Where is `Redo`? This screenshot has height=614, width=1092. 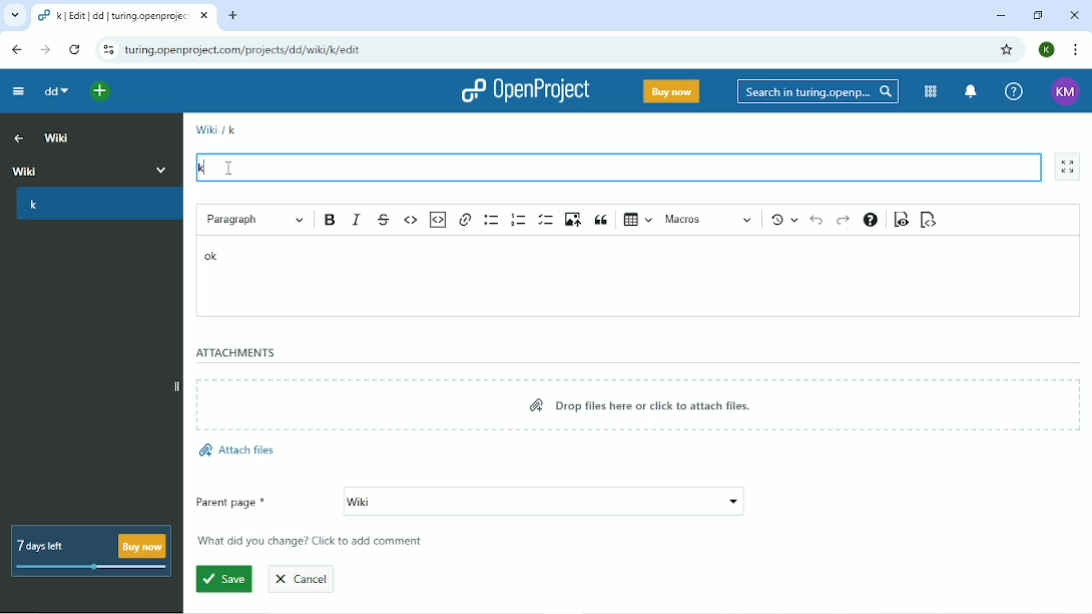 Redo is located at coordinates (842, 221).